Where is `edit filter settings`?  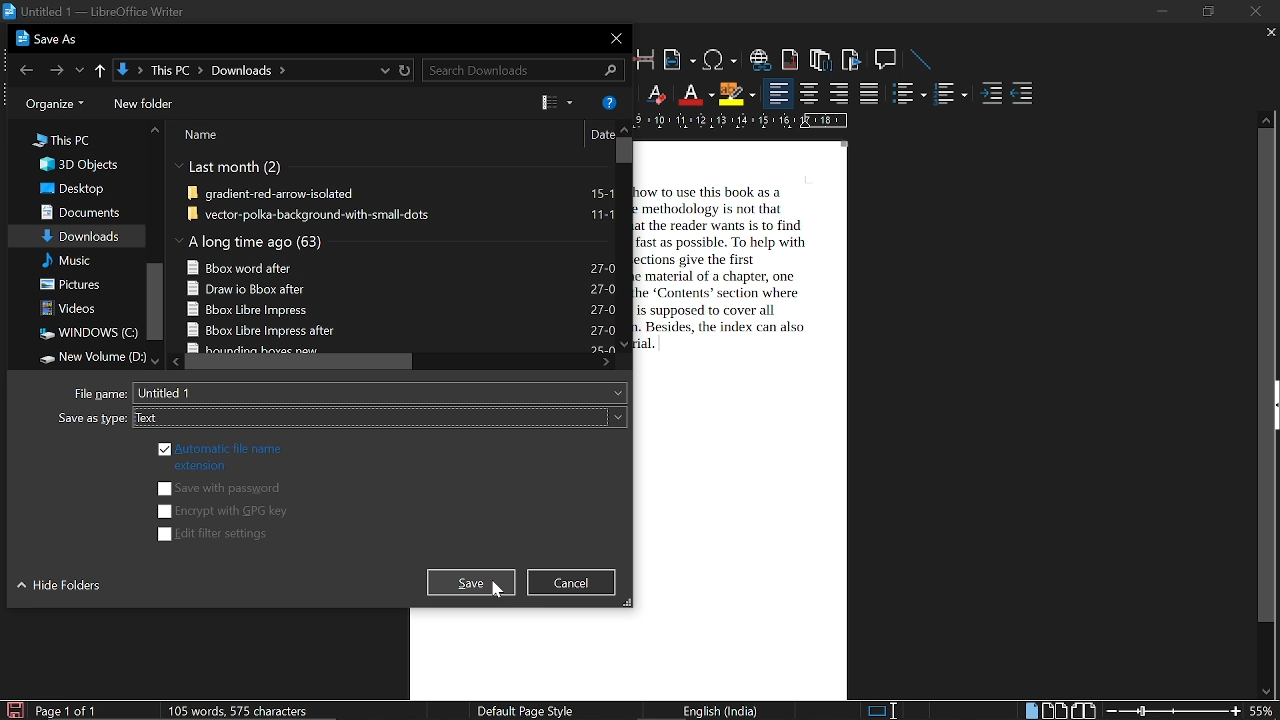 edit filter settings is located at coordinates (216, 535).